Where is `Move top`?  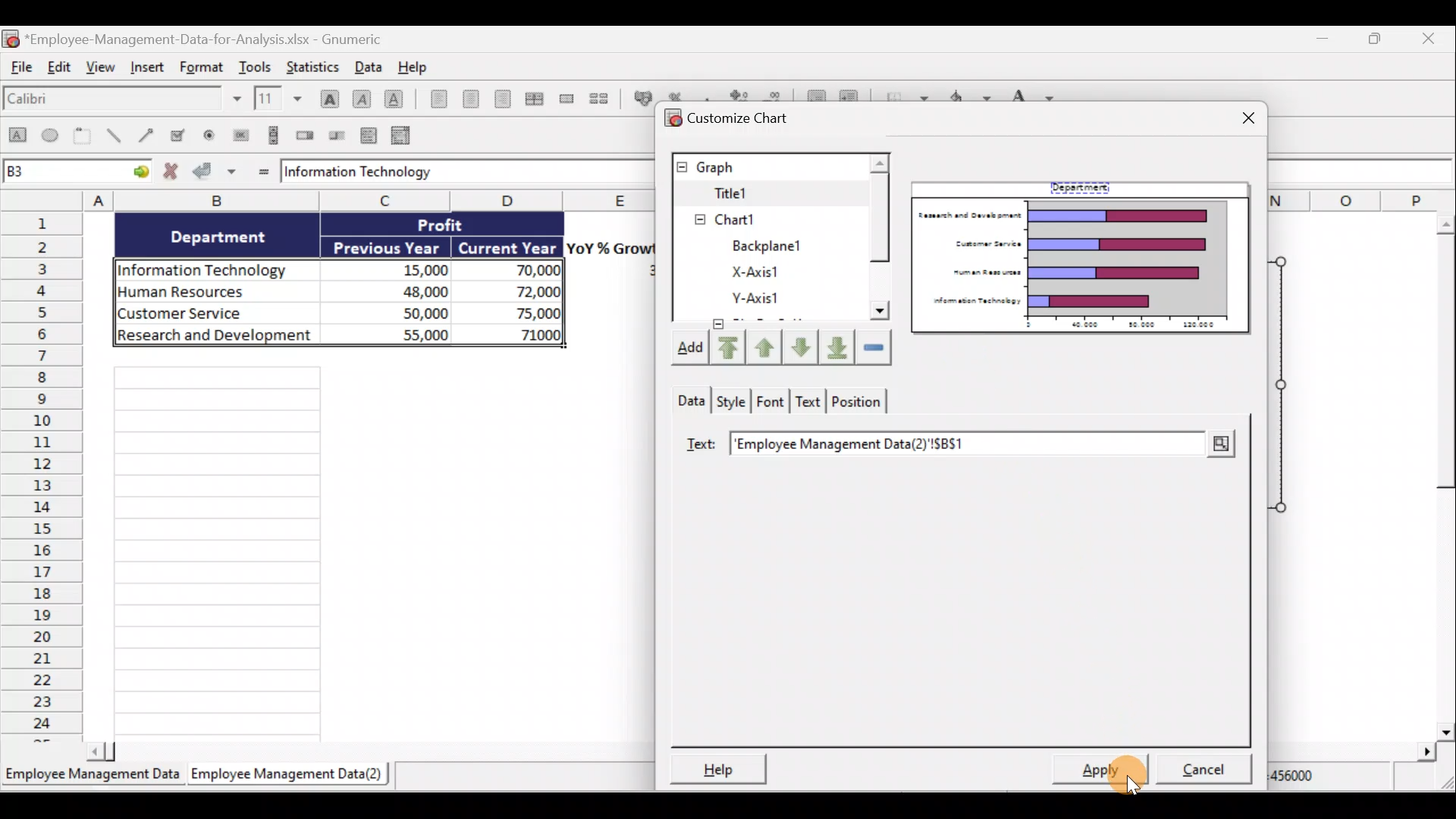 Move top is located at coordinates (726, 347).